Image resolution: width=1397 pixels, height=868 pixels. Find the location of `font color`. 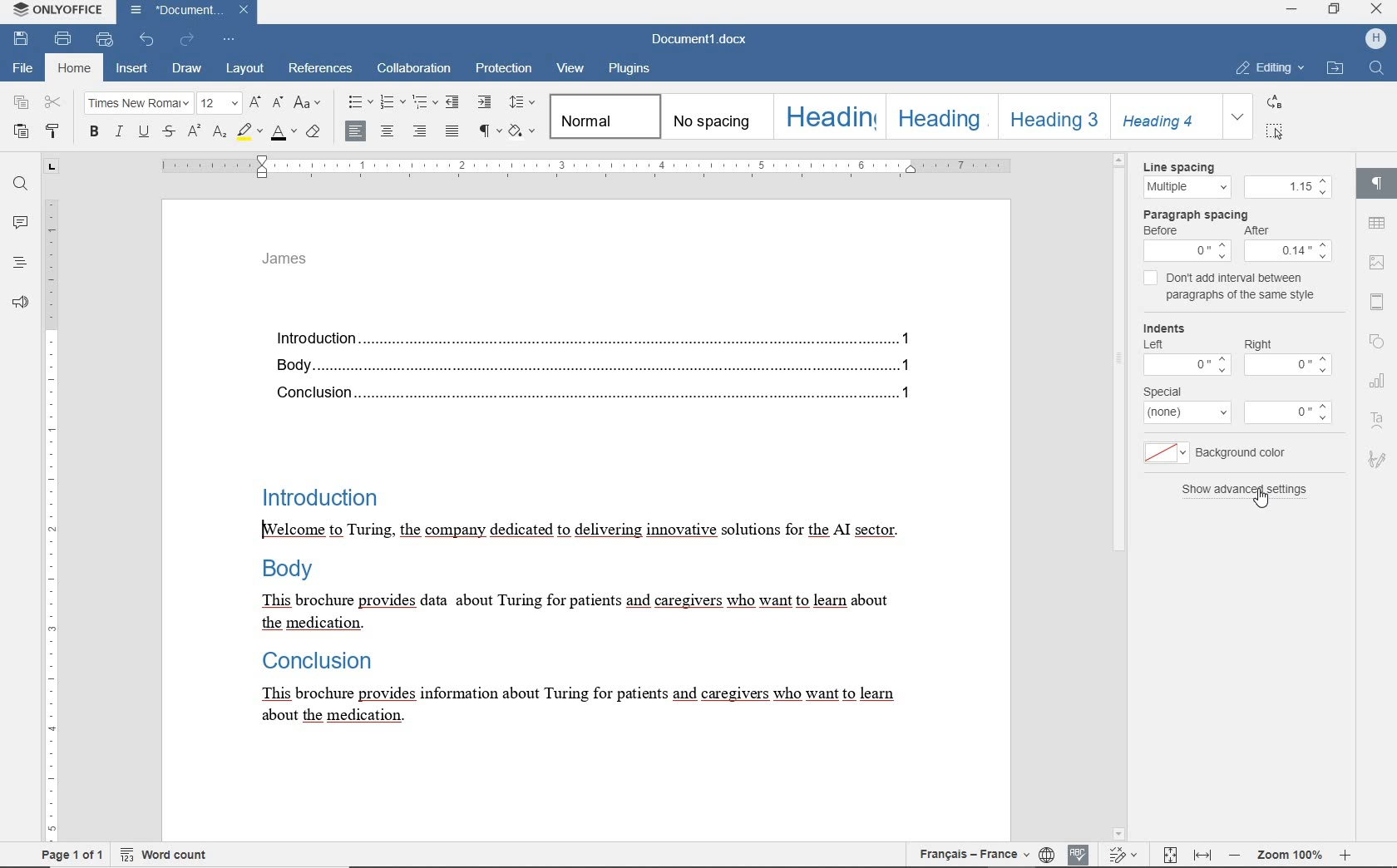

font color is located at coordinates (284, 133).